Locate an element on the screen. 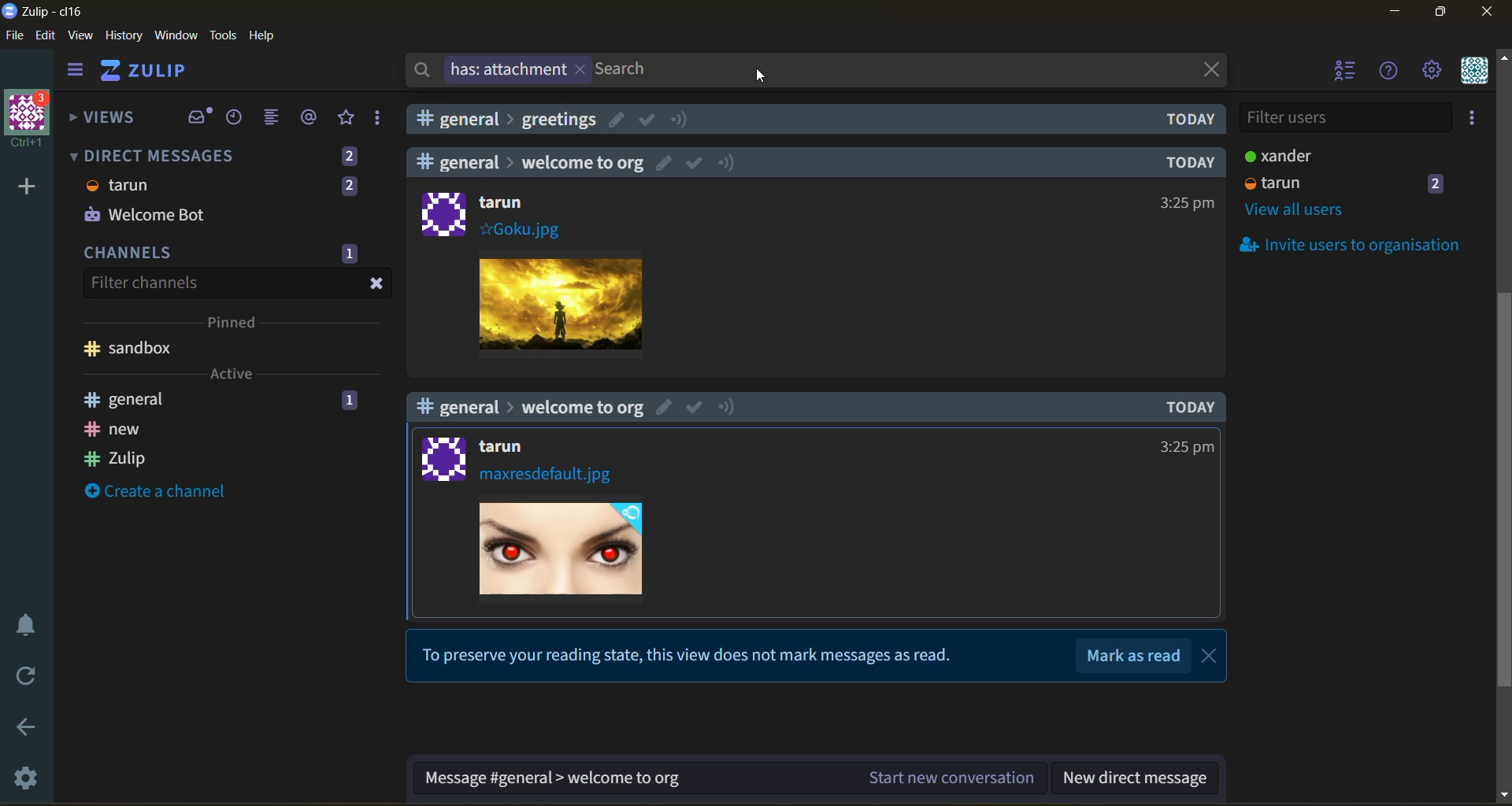  mentions is located at coordinates (310, 117).